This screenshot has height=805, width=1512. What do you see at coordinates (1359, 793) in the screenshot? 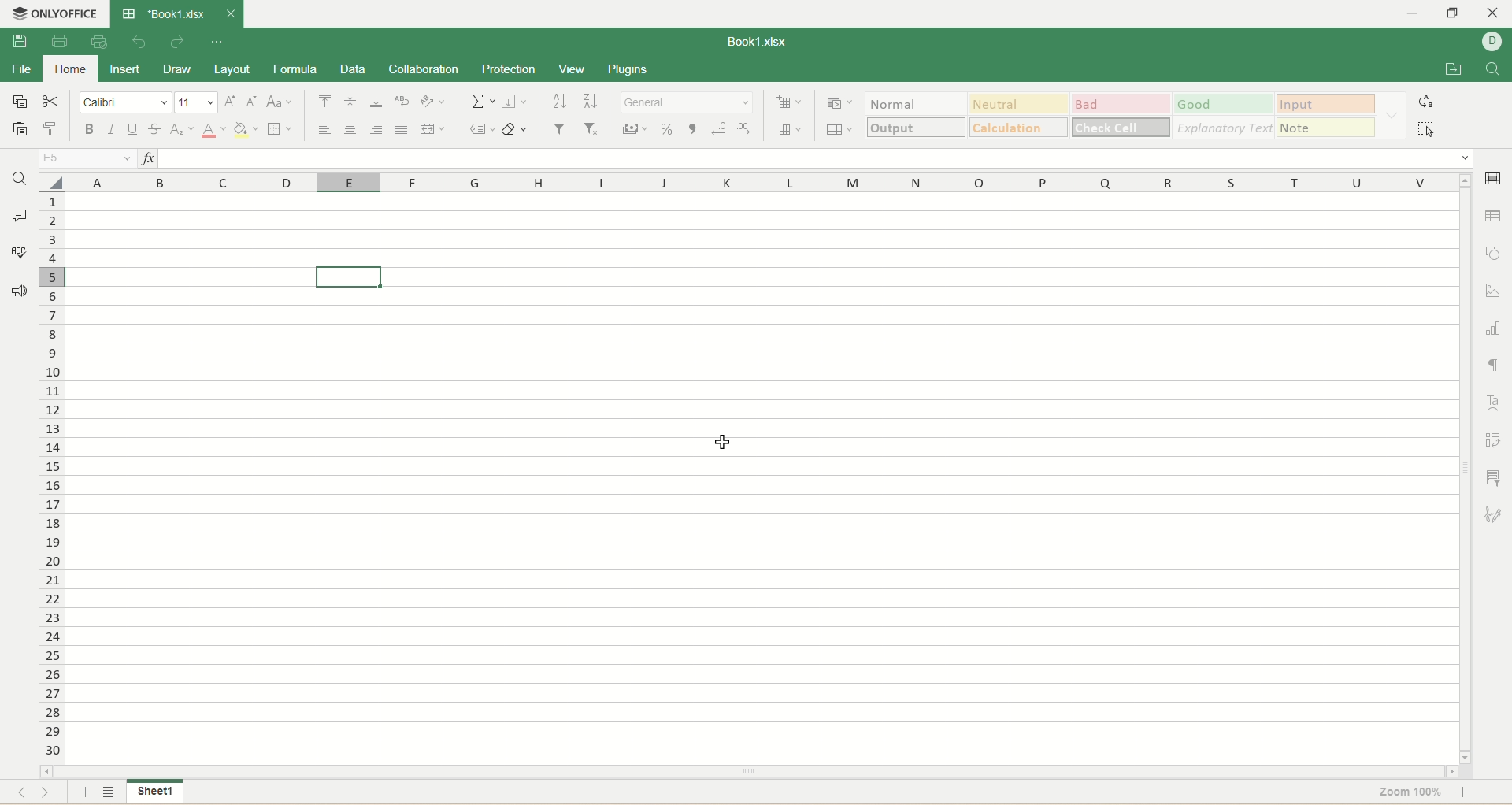
I see `zoom out` at bounding box center [1359, 793].